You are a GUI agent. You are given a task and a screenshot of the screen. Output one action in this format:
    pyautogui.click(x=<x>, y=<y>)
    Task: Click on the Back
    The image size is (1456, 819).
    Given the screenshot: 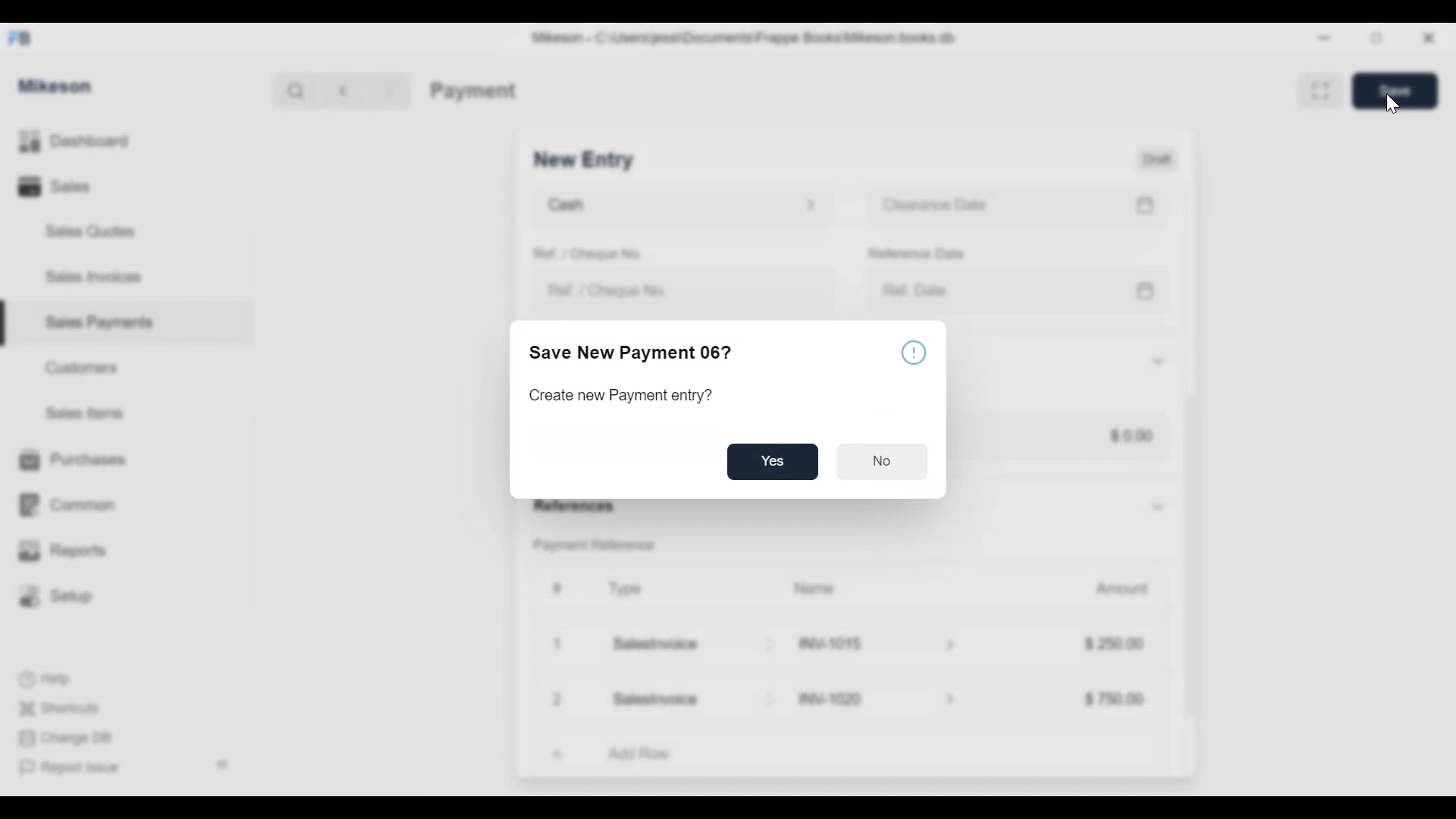 What is the action you would take?
    pyautogui.click(x=350, y=89)
    